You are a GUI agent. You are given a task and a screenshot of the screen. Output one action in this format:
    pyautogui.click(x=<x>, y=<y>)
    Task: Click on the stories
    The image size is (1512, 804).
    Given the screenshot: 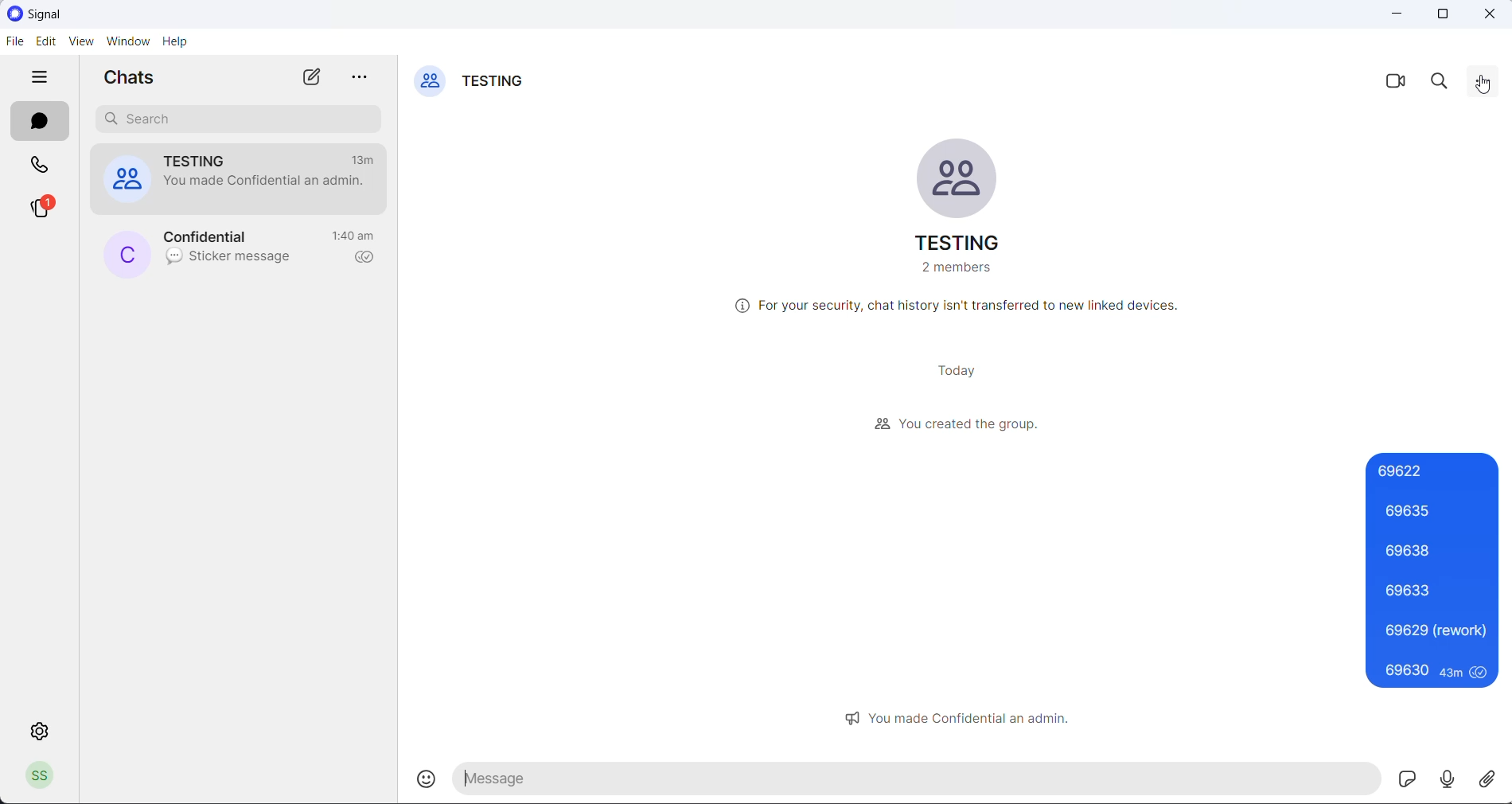 What is the action you would take?
    pyautogui.click(x=44, y=209)
    